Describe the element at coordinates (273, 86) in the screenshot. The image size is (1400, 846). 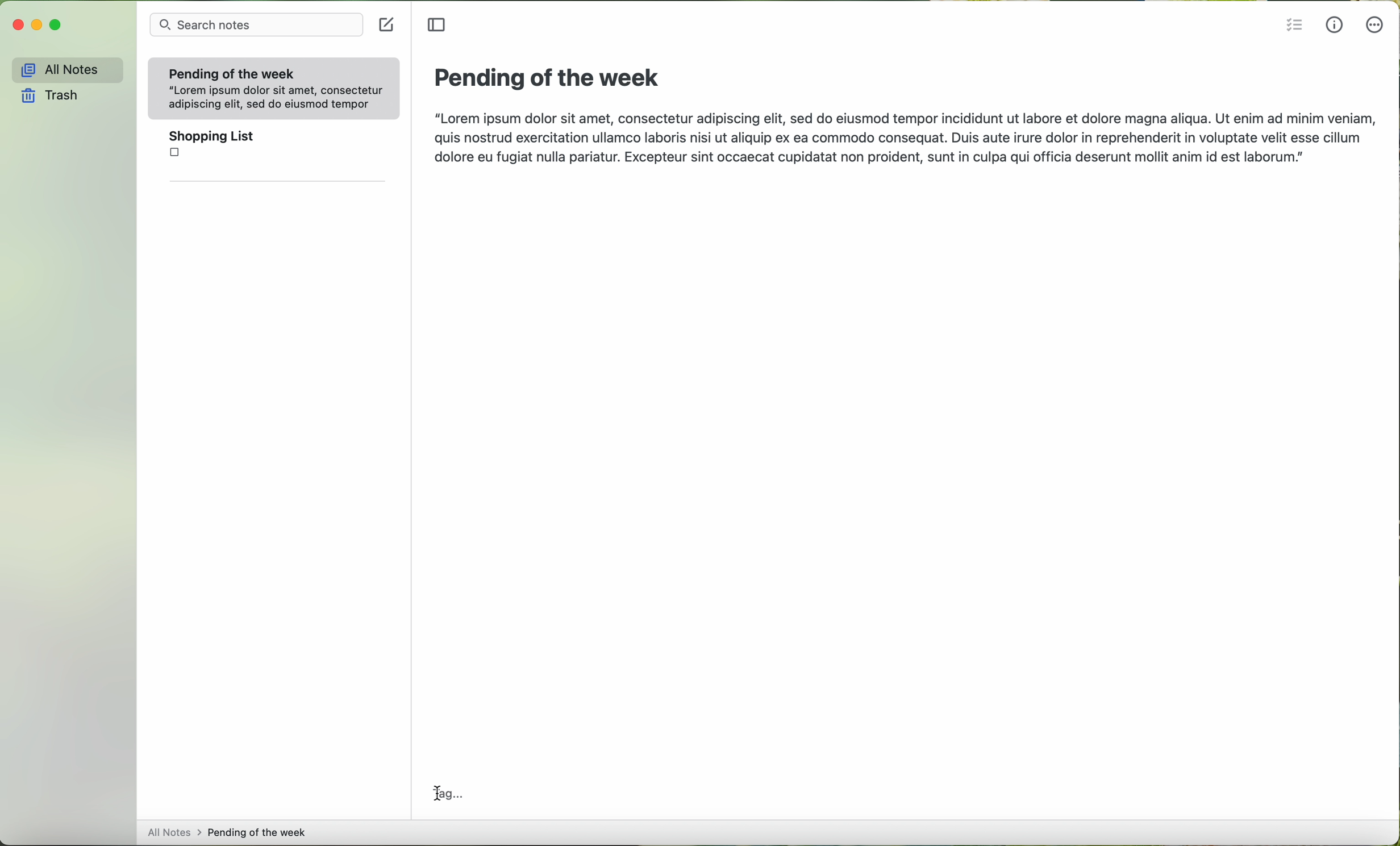
I see `Pending of the week“Lorem ipsum dolor sit amet, consecteturadipiscing elit, sed do eiusmod tempor` at that location.